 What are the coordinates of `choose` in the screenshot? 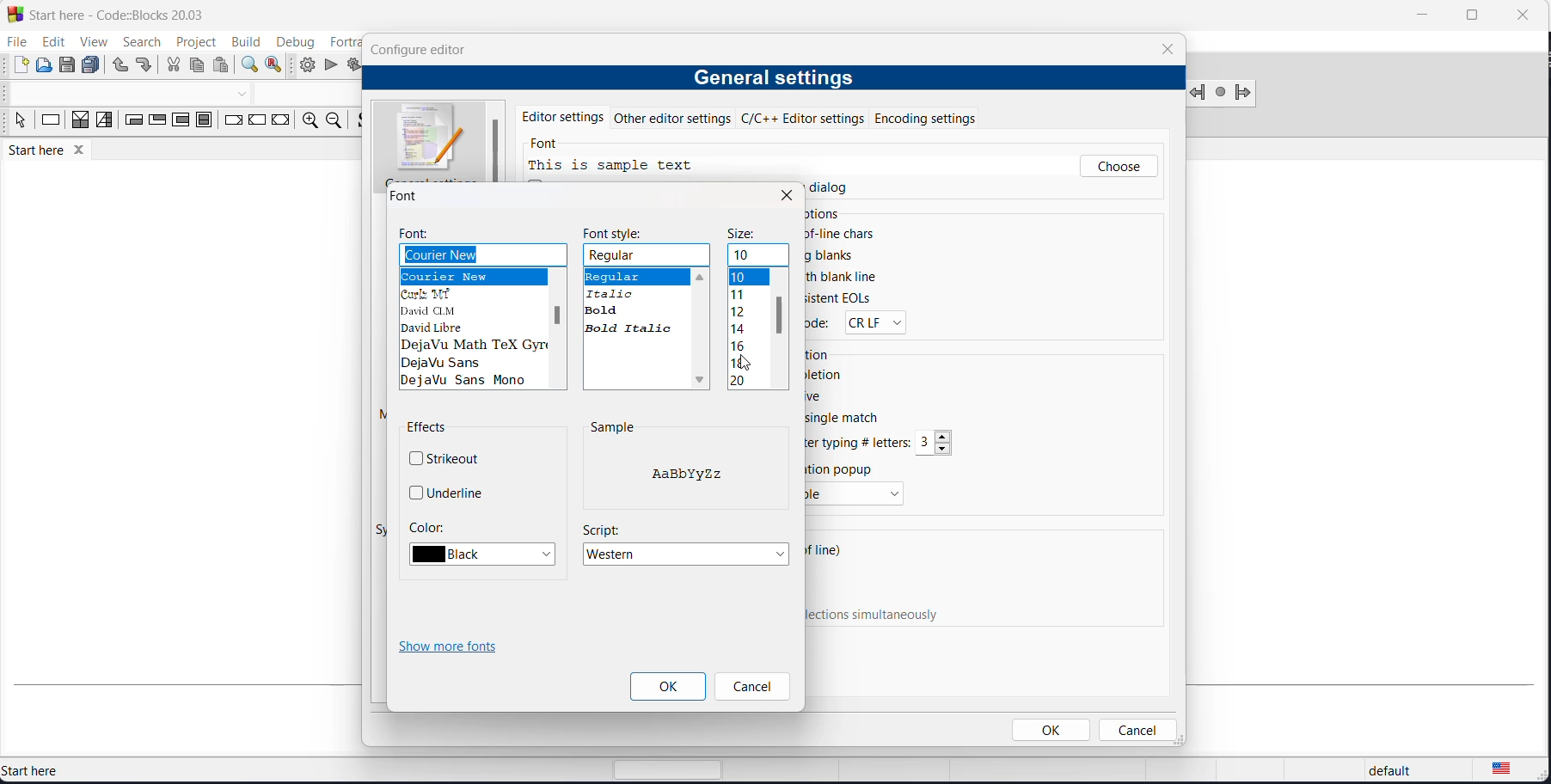 It's located at (1119, 167).